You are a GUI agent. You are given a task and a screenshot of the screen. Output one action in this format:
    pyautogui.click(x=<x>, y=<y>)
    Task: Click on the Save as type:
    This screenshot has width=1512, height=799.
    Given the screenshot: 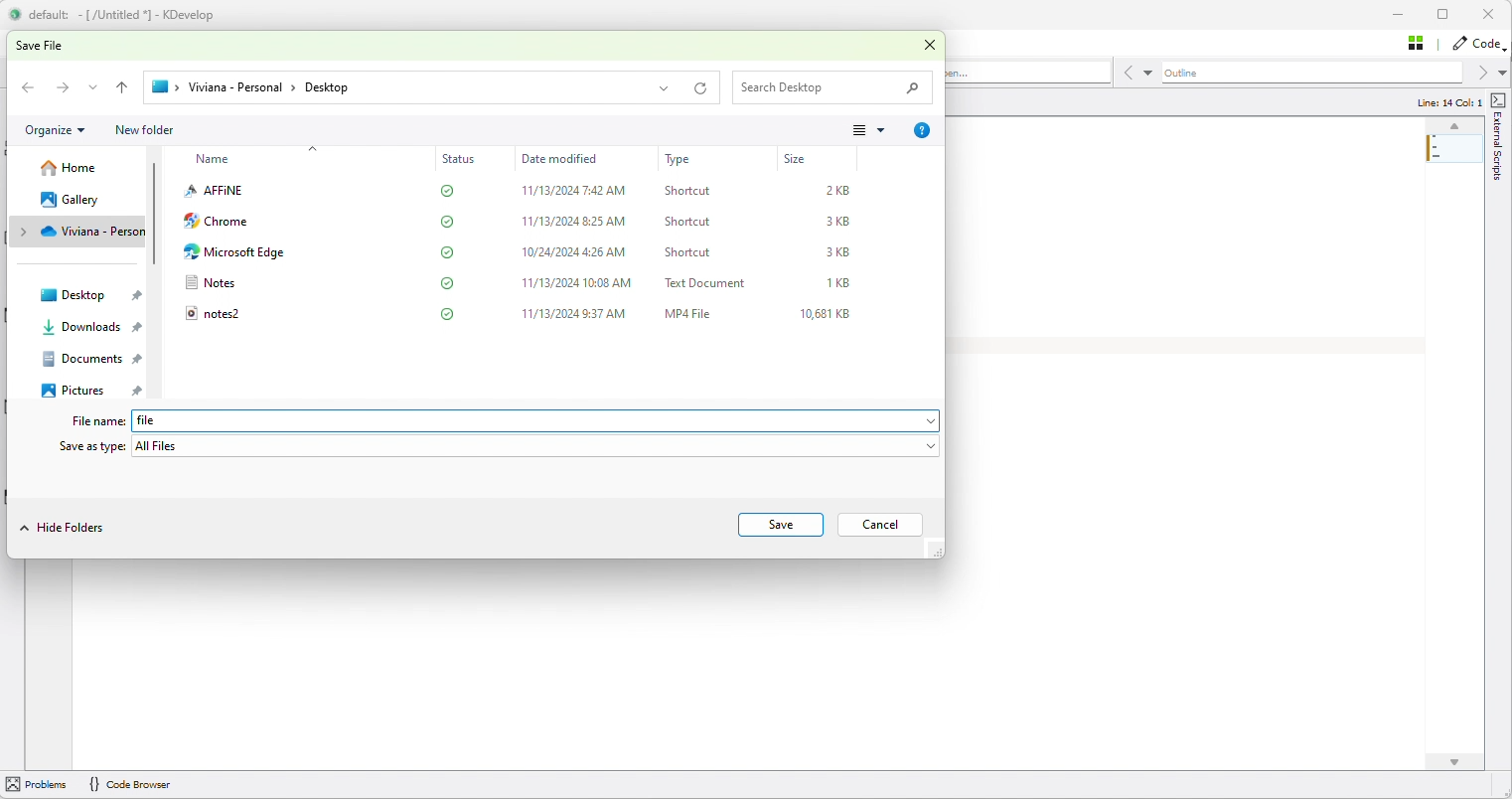 What is the action you would take?
    pyautogui.click(x=90, y=445)
    